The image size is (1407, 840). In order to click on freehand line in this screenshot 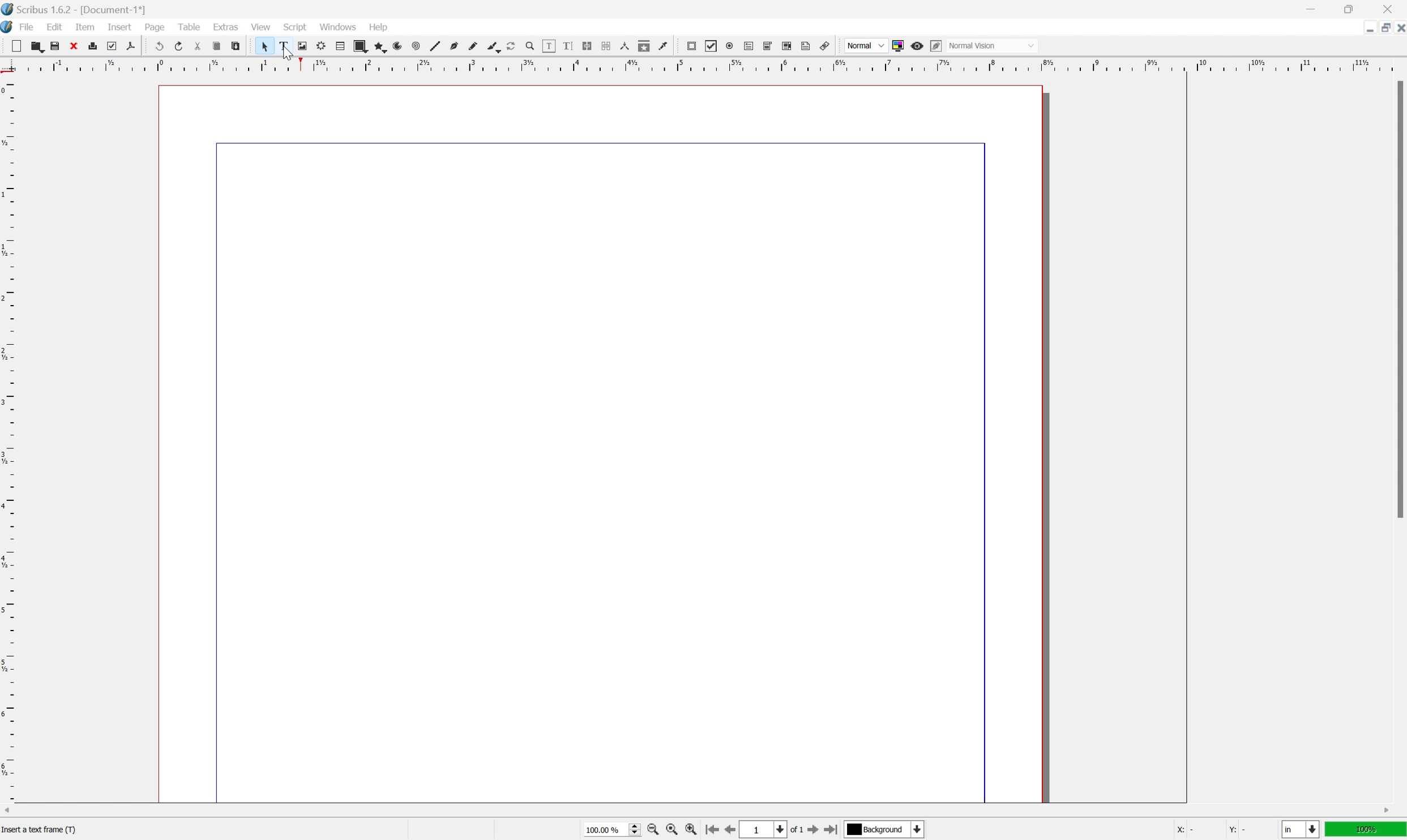, I will do `click(474, 46)`.